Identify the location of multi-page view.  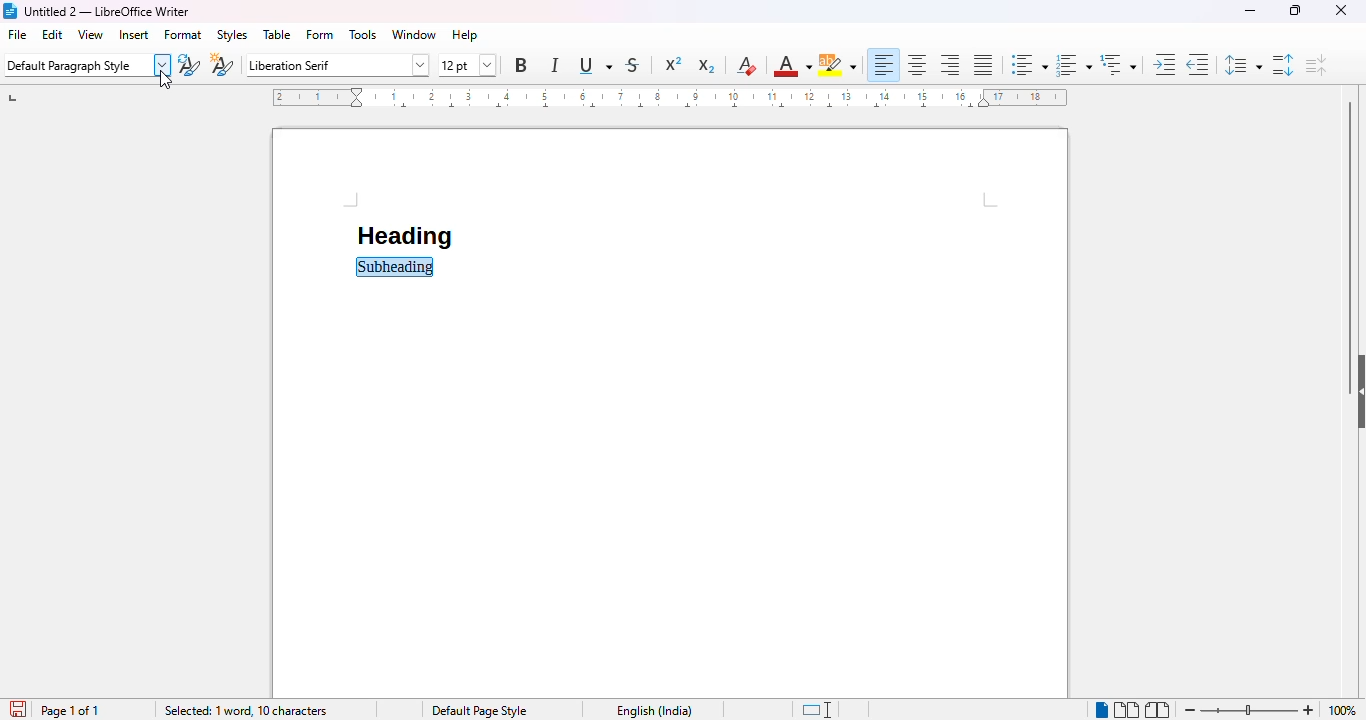
(1128, 710).